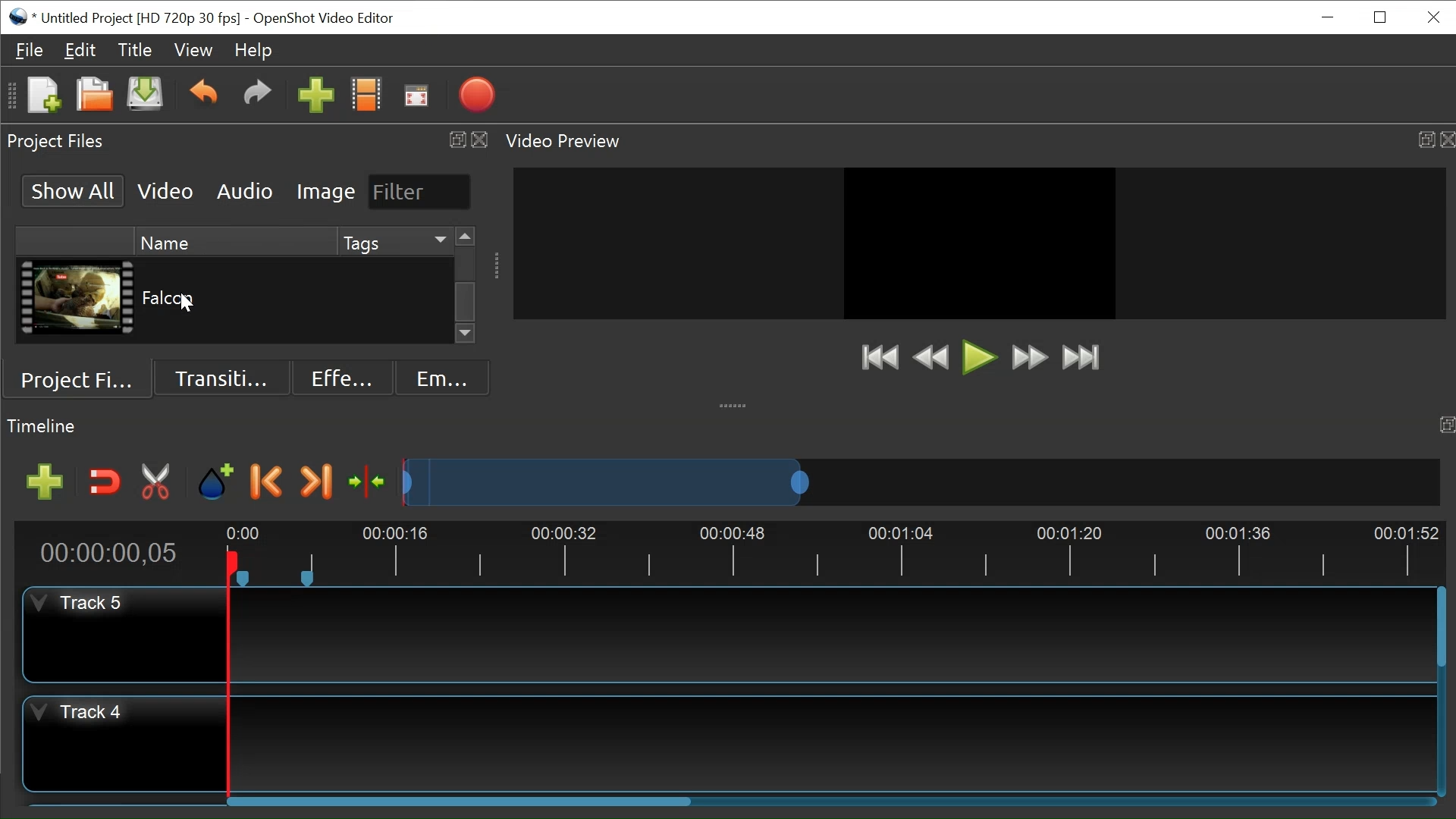  Describe the element at coordinates (157, 482) in the screenshot. I see `Razor` at that location.